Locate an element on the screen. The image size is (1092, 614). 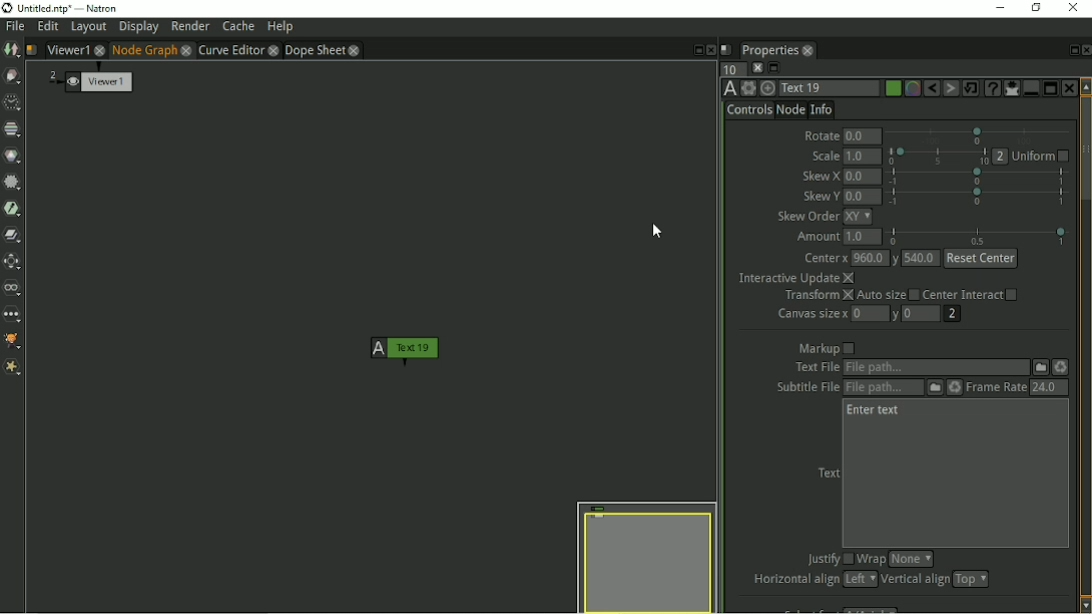
Draw is located at coordinates (12, 76).